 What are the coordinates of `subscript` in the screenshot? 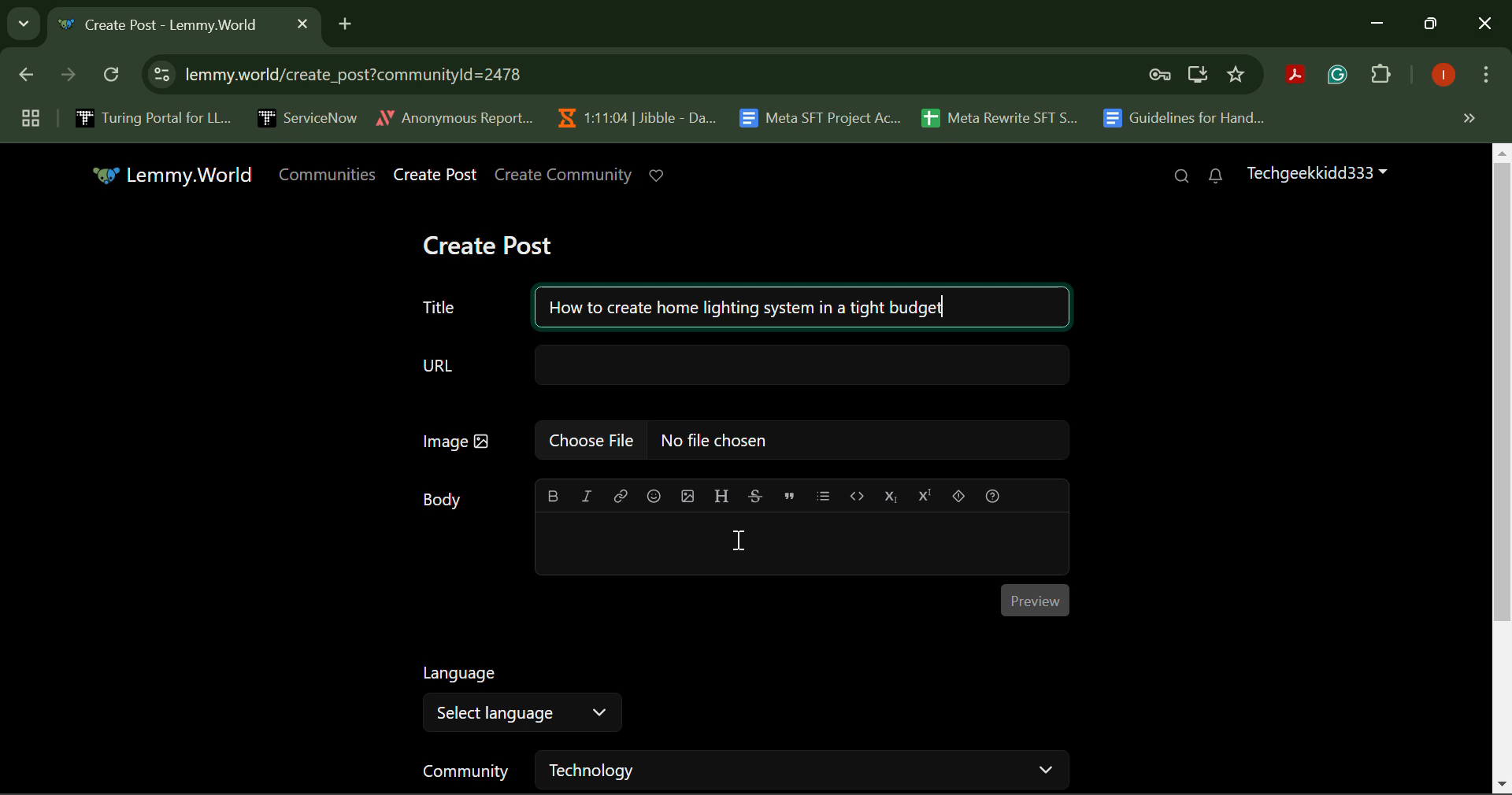 It's located at (892, 494).